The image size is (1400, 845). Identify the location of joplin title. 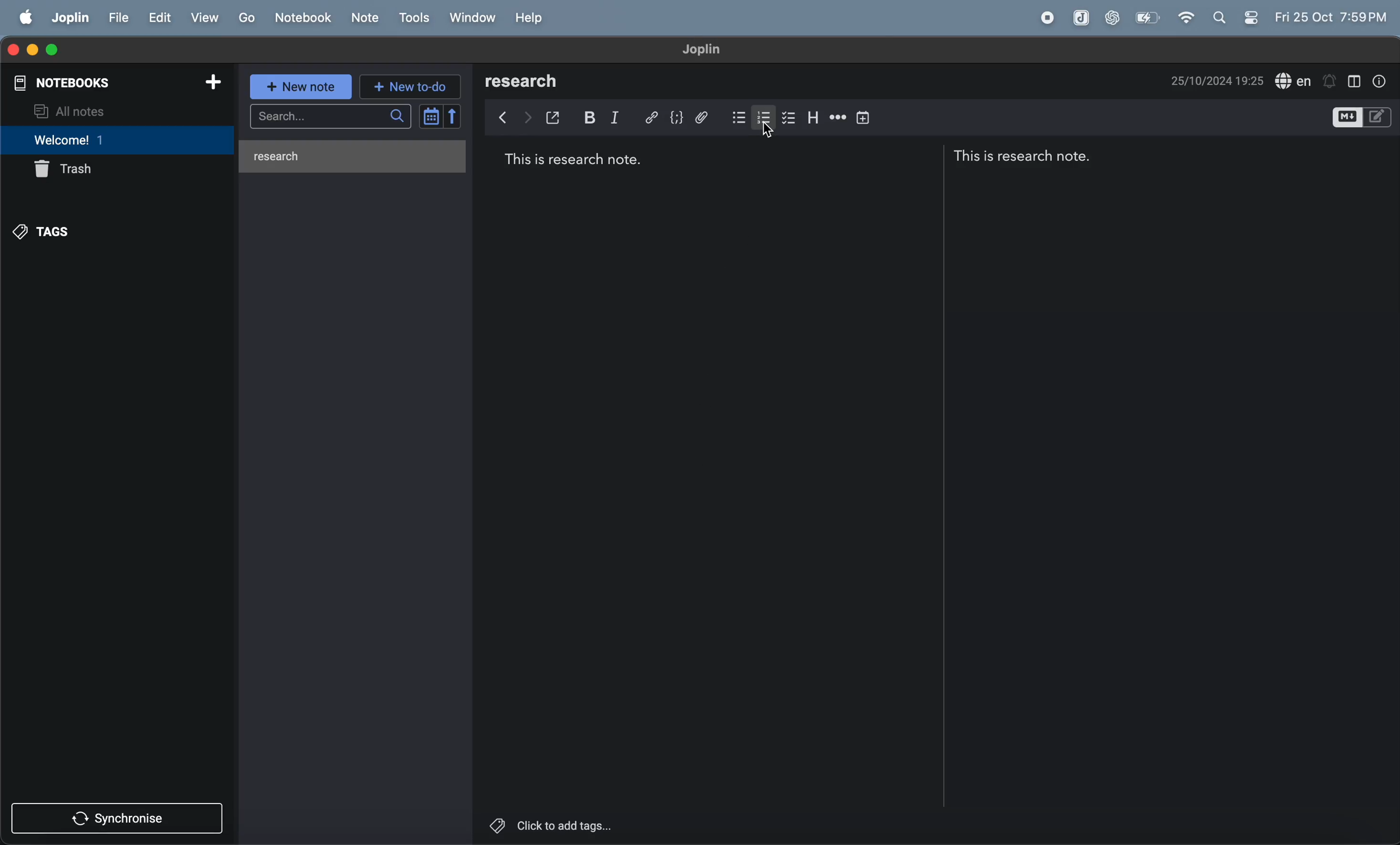
(701, 49).